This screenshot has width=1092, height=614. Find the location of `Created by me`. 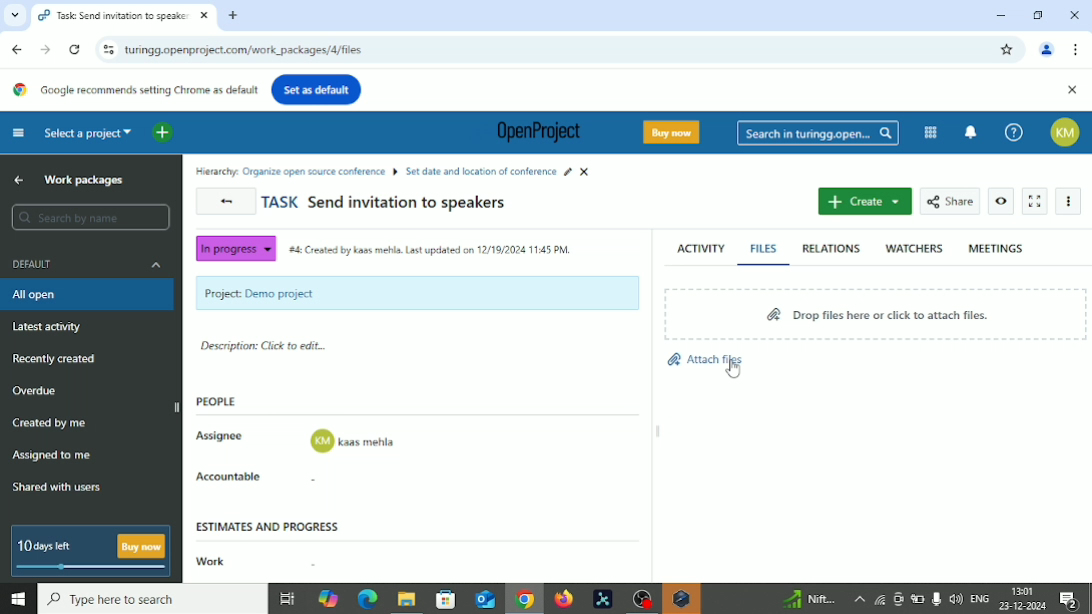

Created by me is located at coordinates (52, 425).